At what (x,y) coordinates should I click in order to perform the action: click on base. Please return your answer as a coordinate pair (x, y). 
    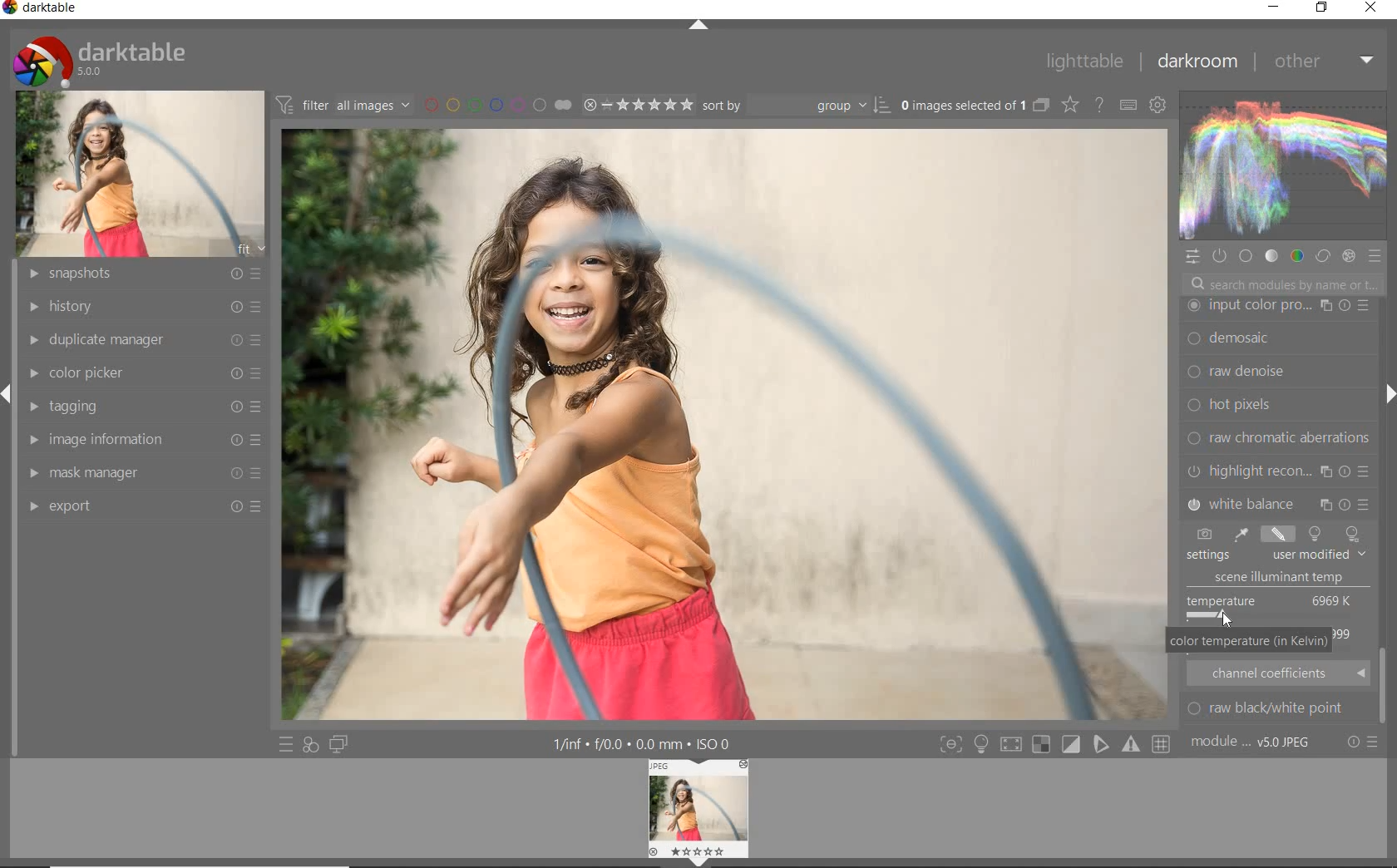
    Looking at the image, I should click on (1247, 258).